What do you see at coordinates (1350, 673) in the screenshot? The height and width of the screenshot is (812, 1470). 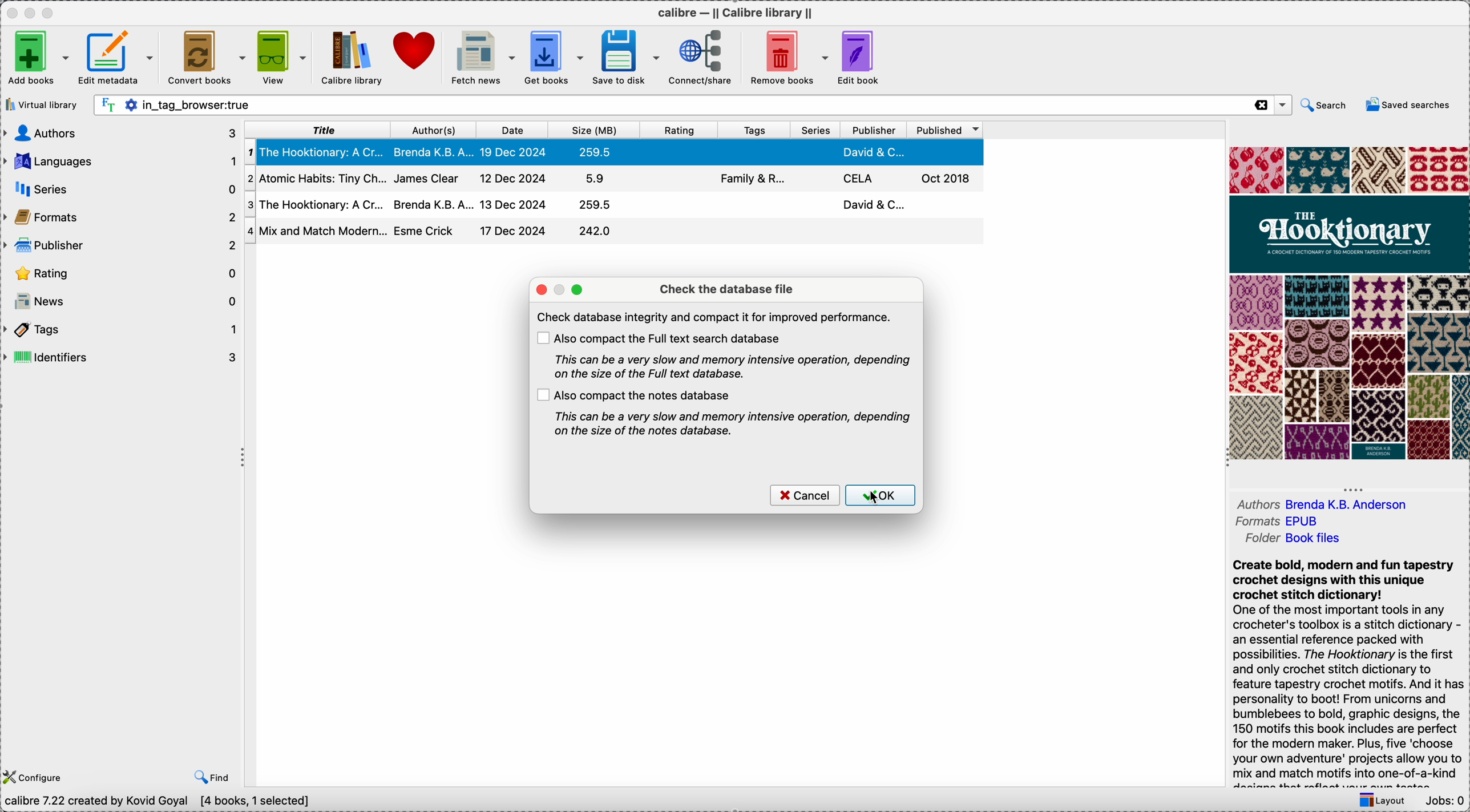 I see `synopsis` at bounding box center [1350, 673].